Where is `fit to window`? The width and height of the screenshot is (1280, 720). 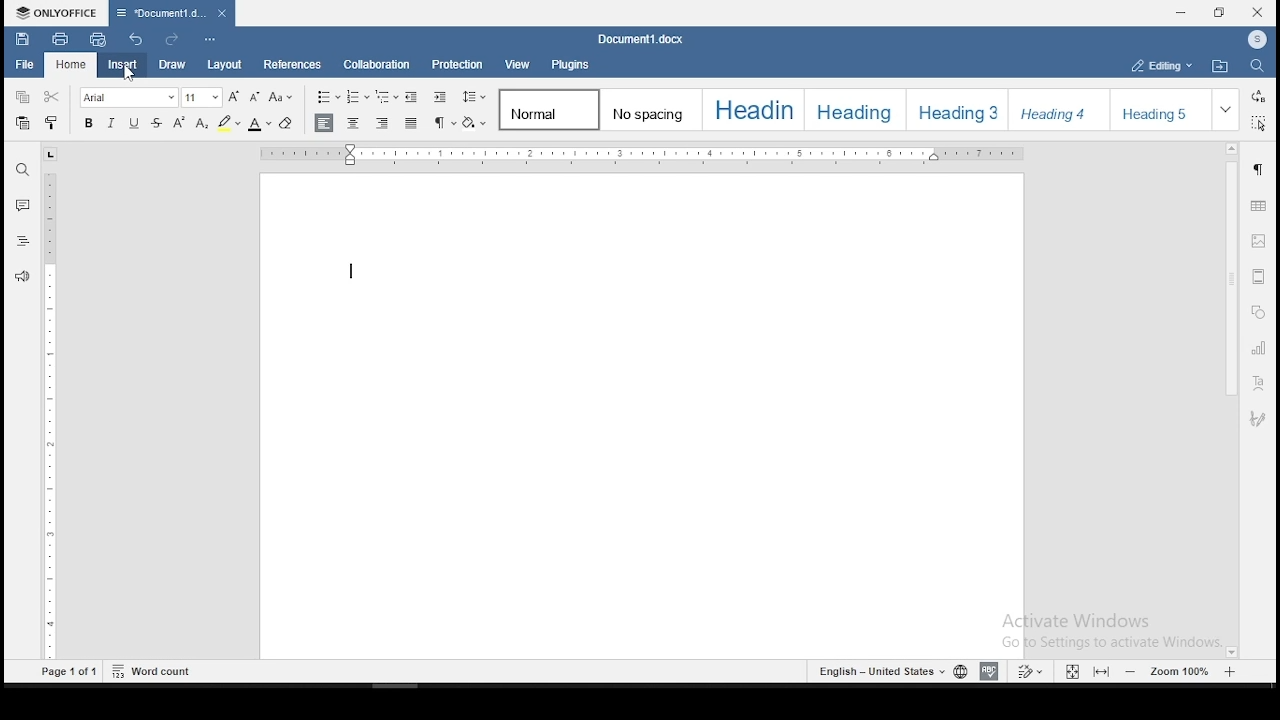
fit to window is located at coordinates (1071, 671).